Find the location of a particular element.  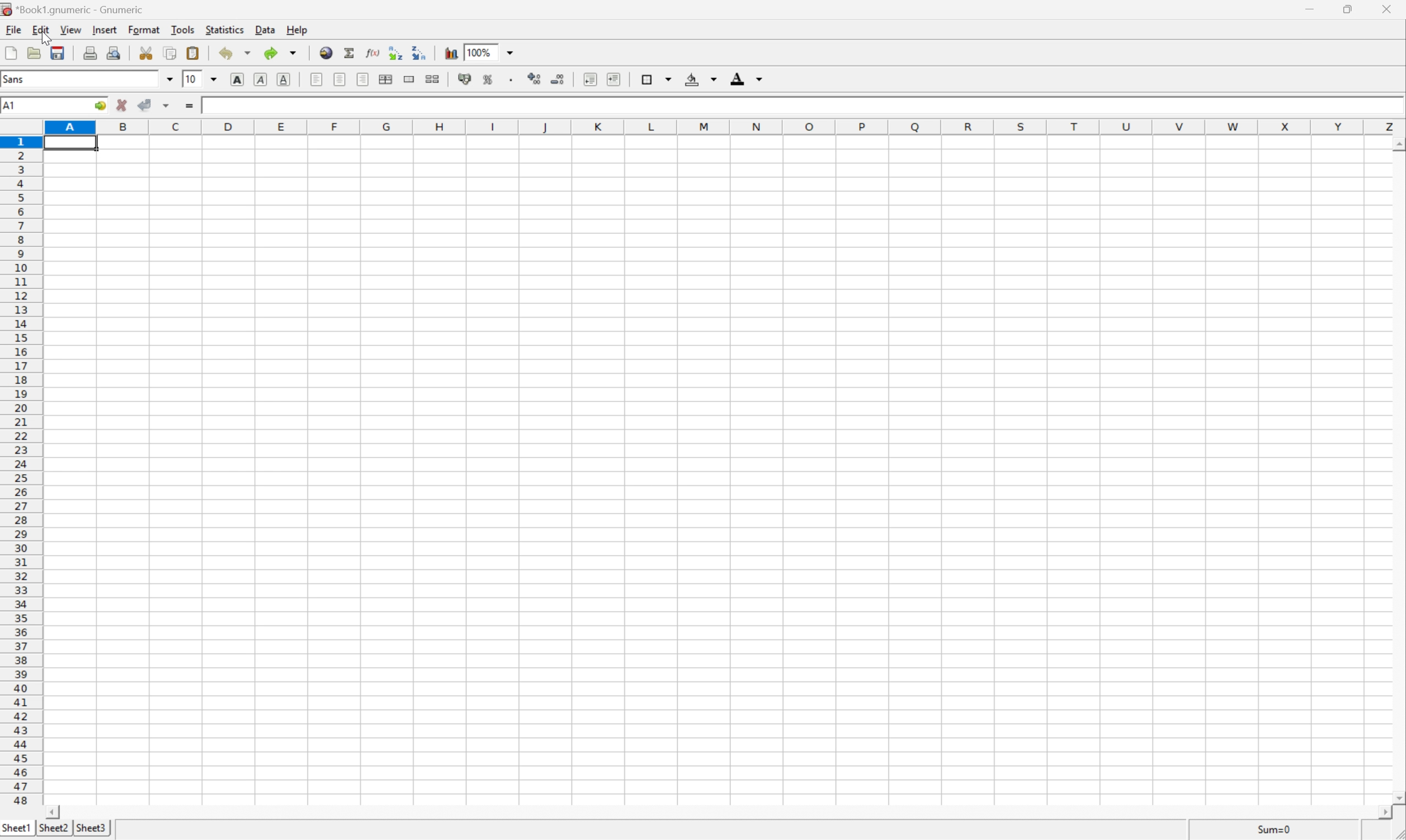

print preview is located at coordinates (113, 52).